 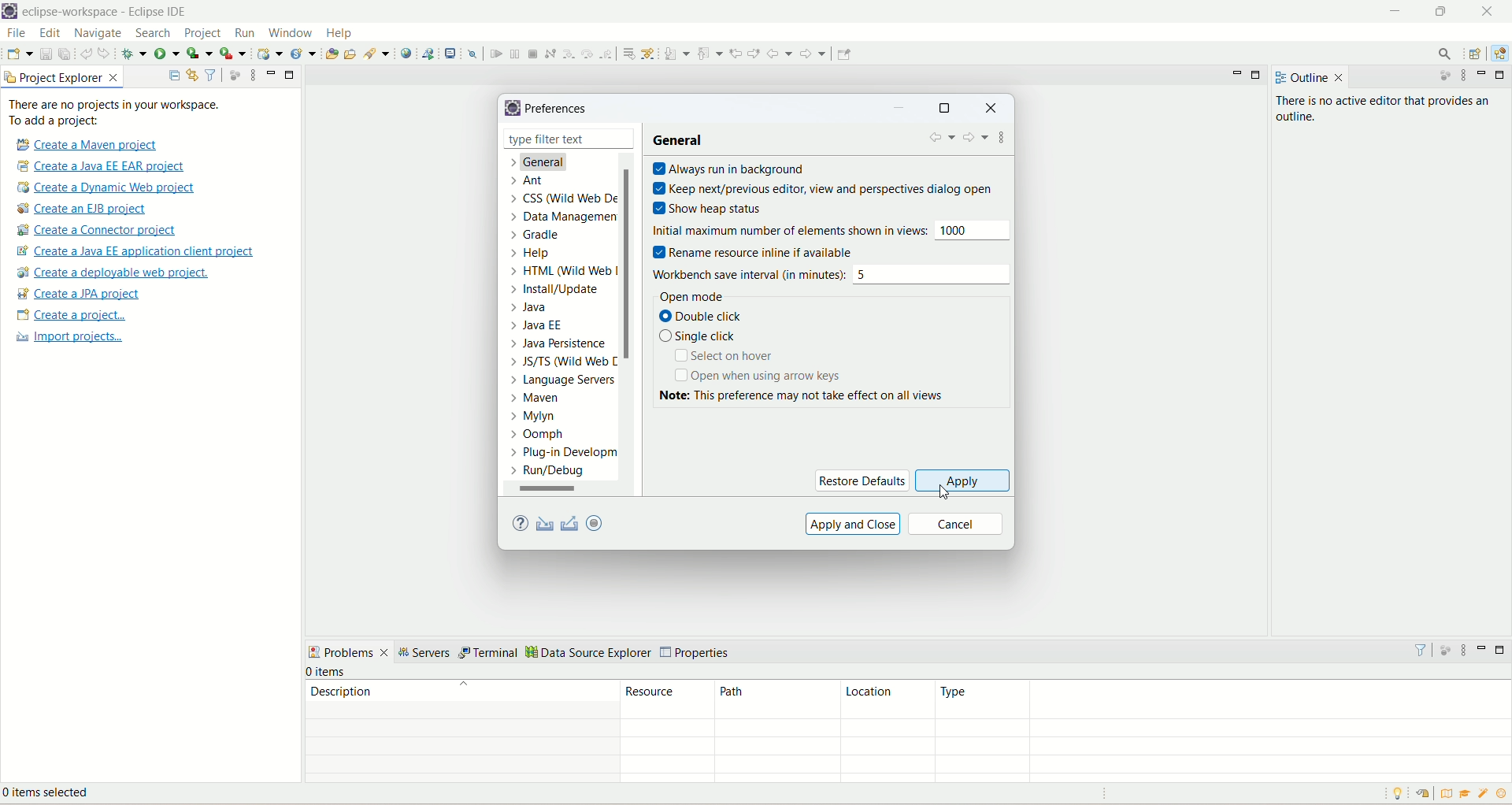 What do you see at coordinates (991, 109) in the screenshot?
I see `close` at bounding box center [991, 109].